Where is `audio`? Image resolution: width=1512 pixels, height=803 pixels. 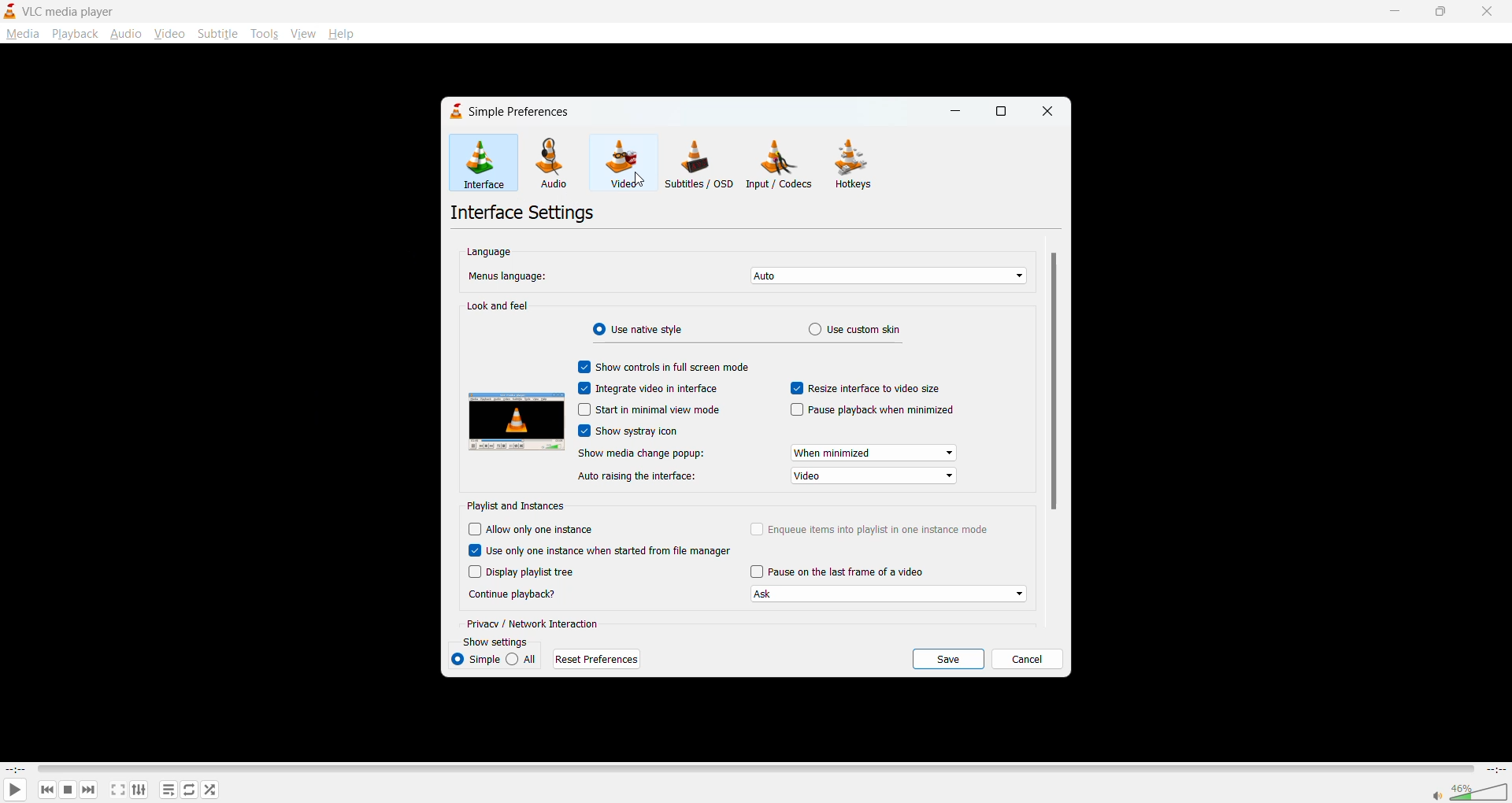 audio is located at coordinates (553, 163).